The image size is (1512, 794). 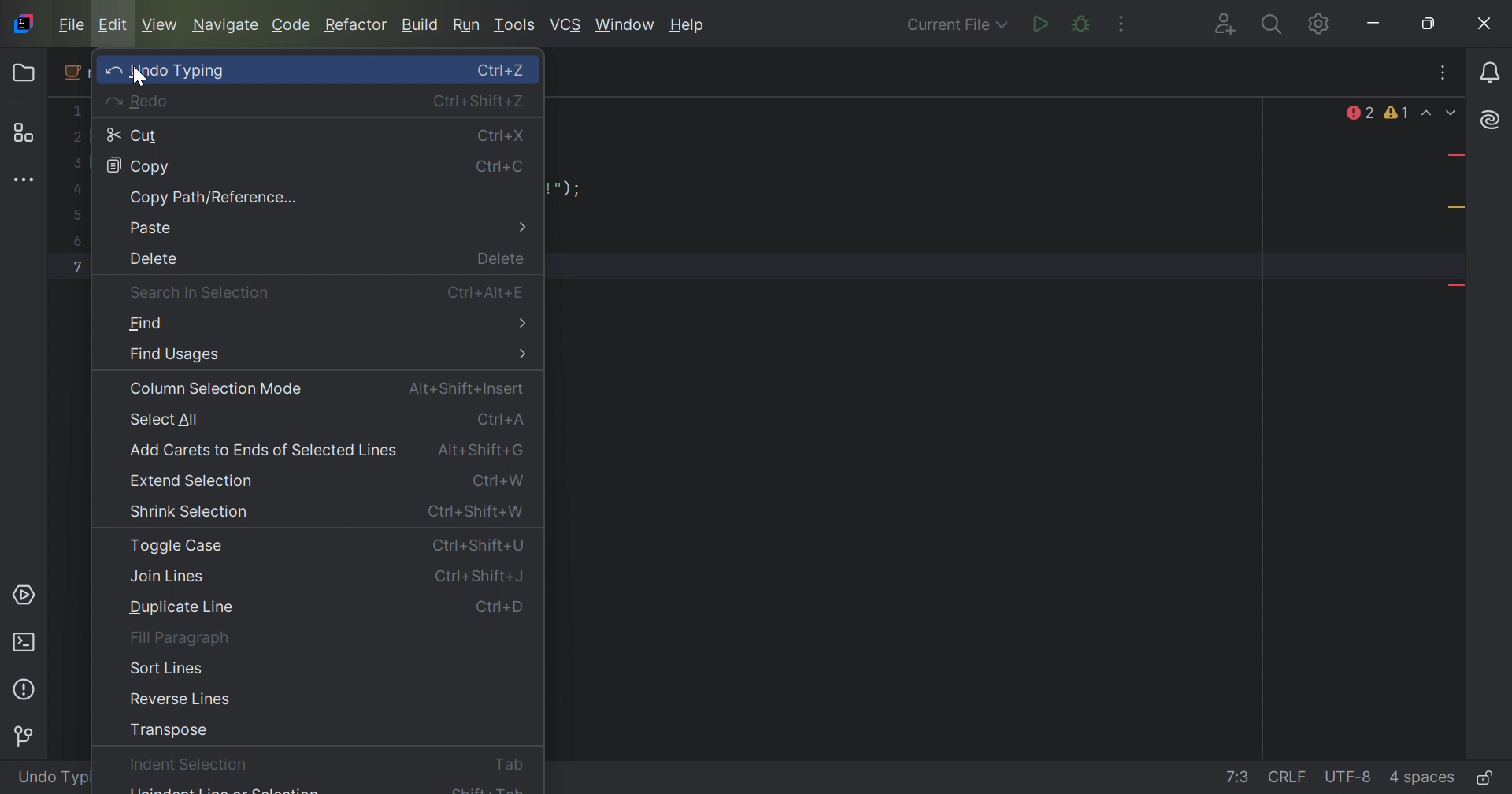 What do you see at coordinates (51, 777) in the screenshot?
I see `Undo type` at bounding box center [51, 777].